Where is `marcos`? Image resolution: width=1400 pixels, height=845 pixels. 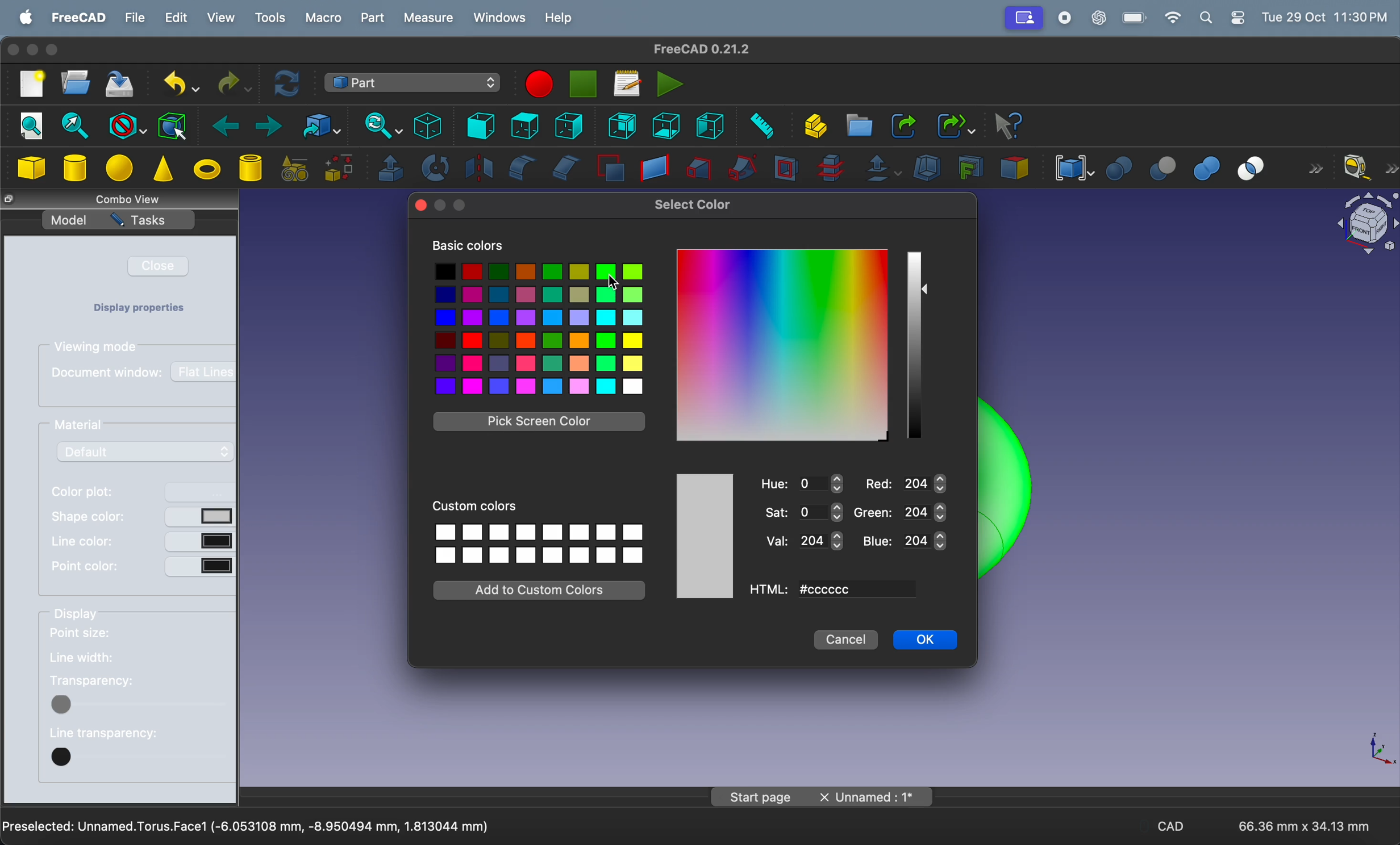
marcos is located at coordinates (627, 83).